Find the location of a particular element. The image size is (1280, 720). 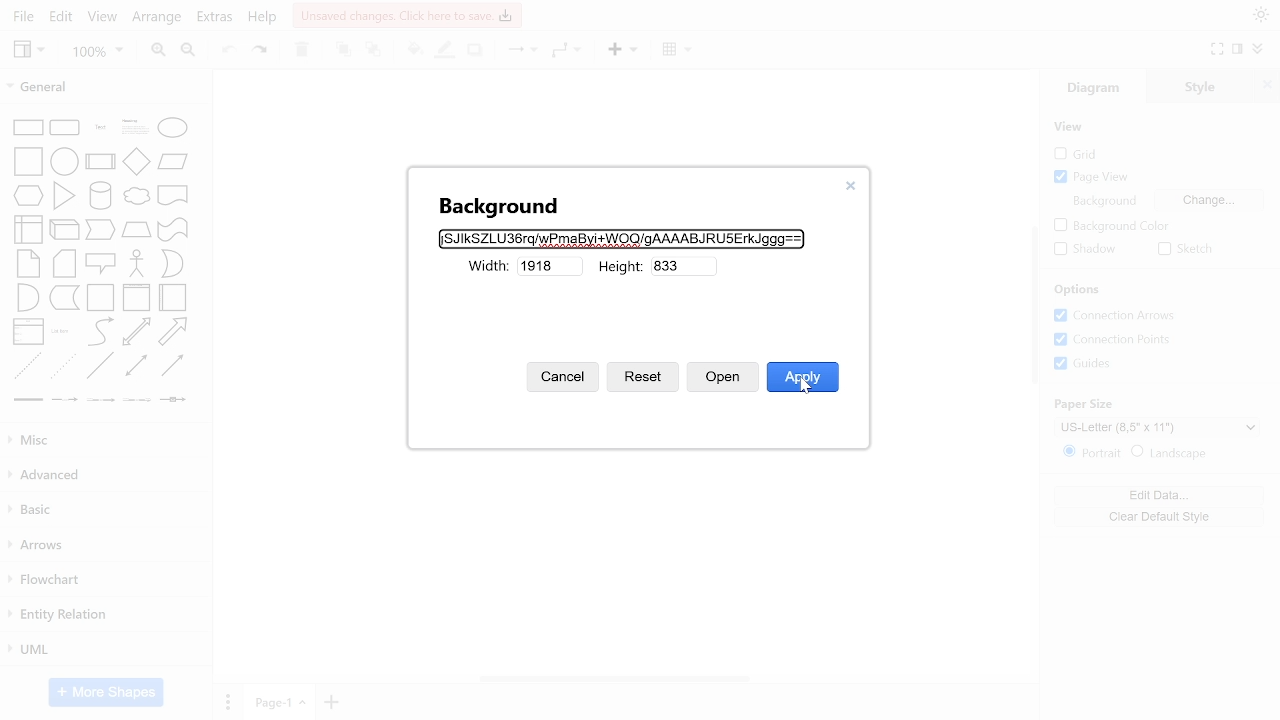

zoom in is located at coordinates (157, 51).